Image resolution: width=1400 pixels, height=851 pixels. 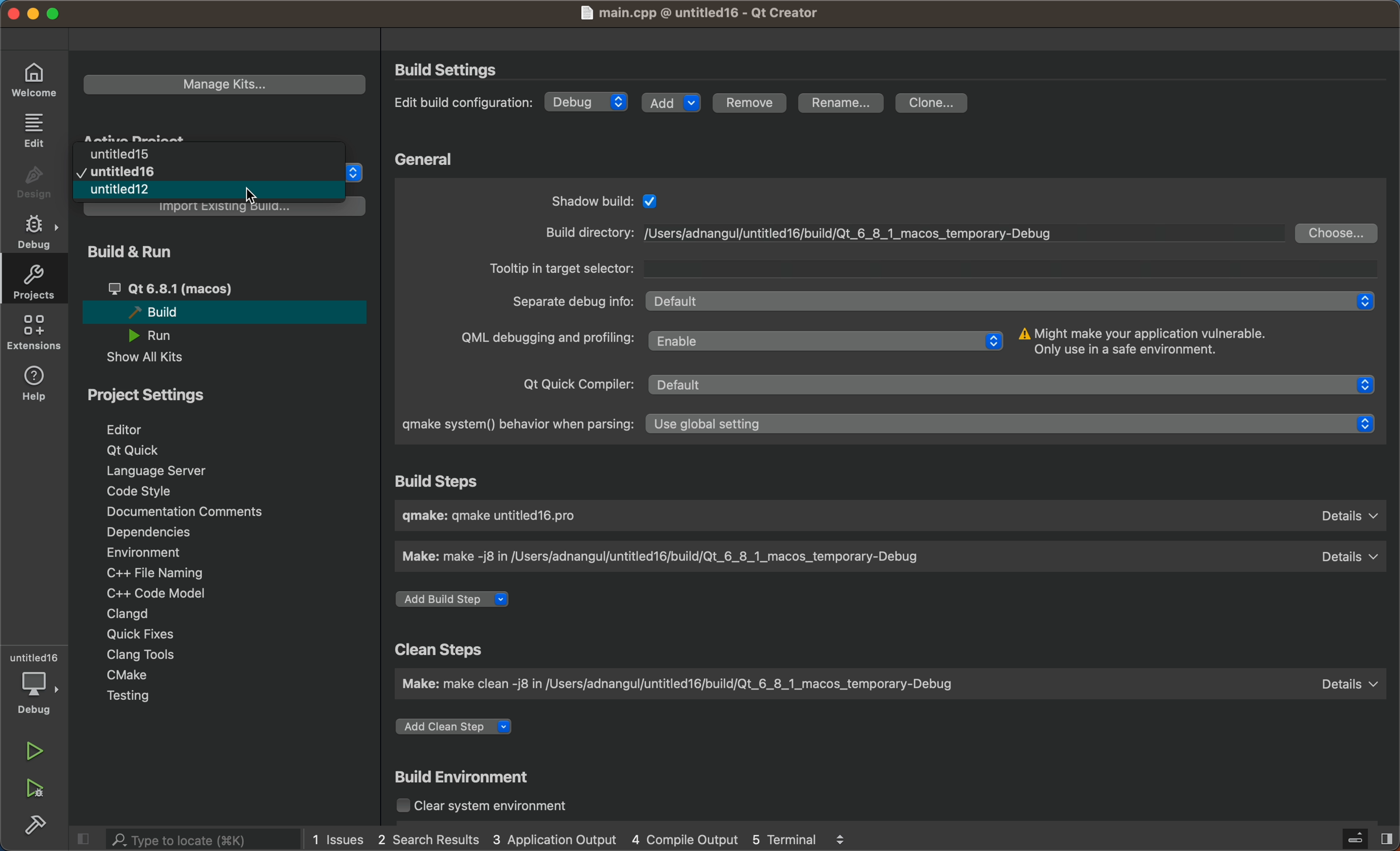 I want to click on general, so click(x=439, y=156).